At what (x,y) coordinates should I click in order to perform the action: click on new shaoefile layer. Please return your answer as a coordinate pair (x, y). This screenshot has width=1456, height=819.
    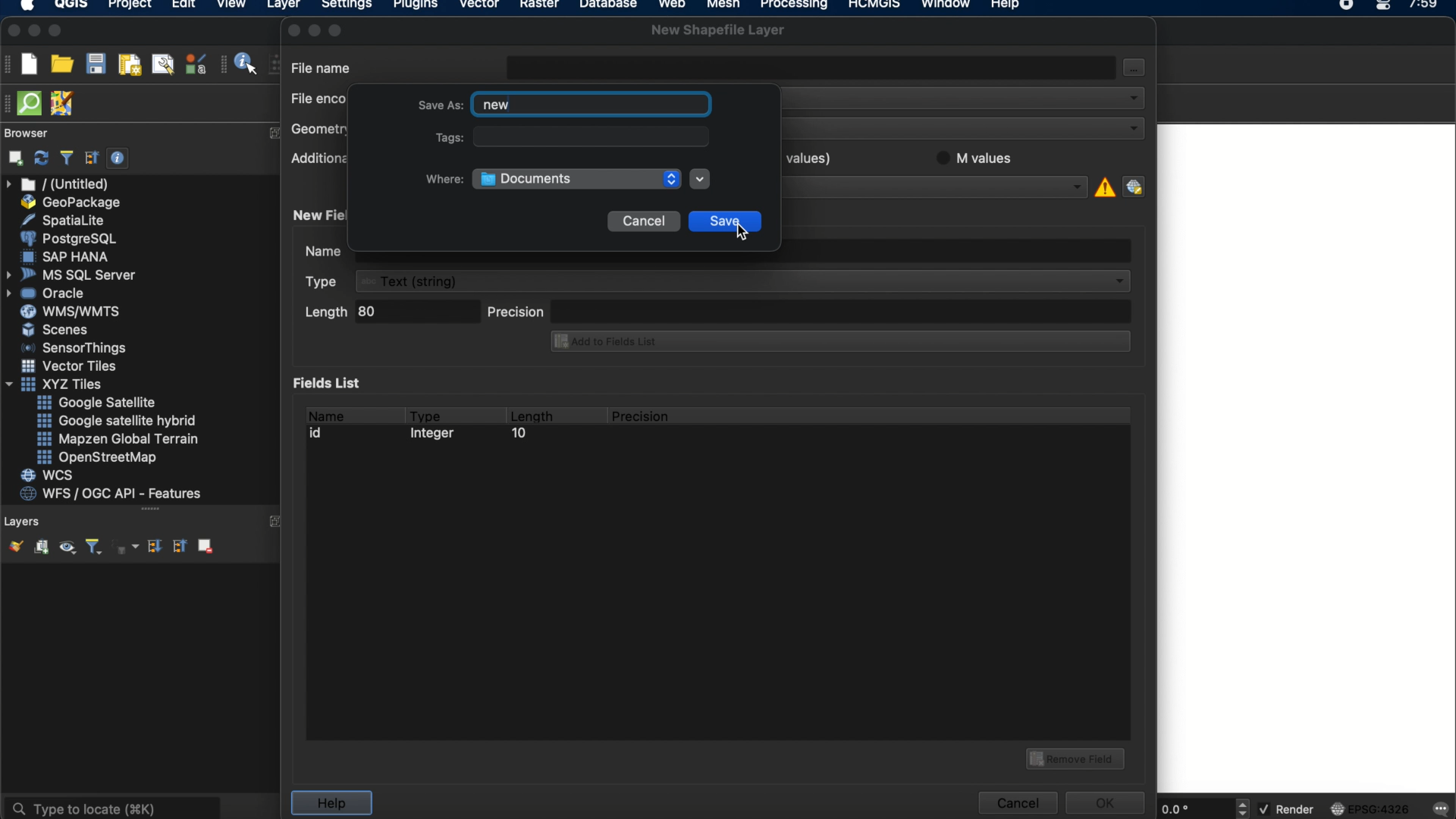
    Looking at the image, I should click on (718, 30).